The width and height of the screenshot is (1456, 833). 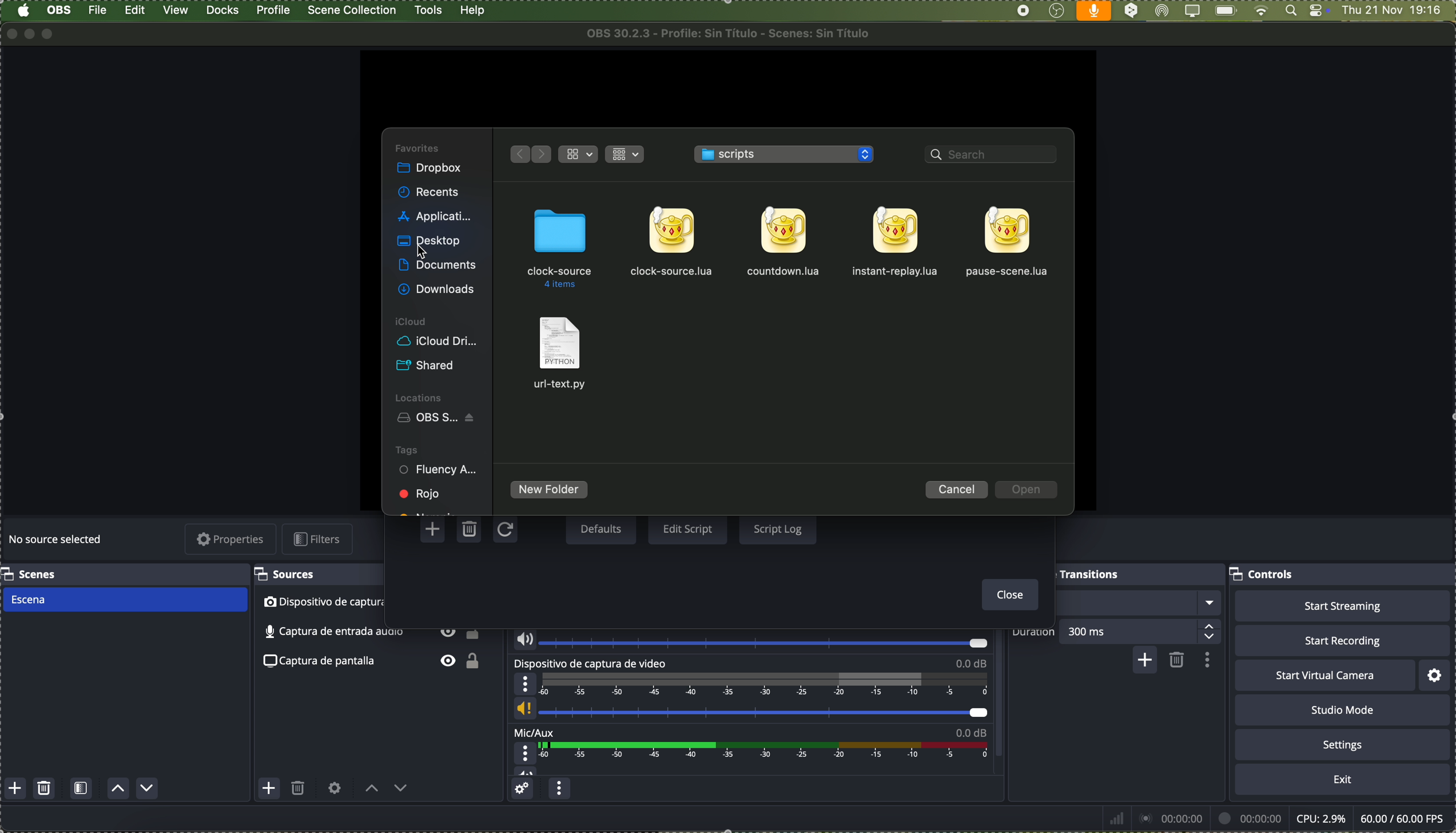 What do you see at coordinates (550, 491) in the screenshot?
I see `new folder button` at bounding box center [550, 491].